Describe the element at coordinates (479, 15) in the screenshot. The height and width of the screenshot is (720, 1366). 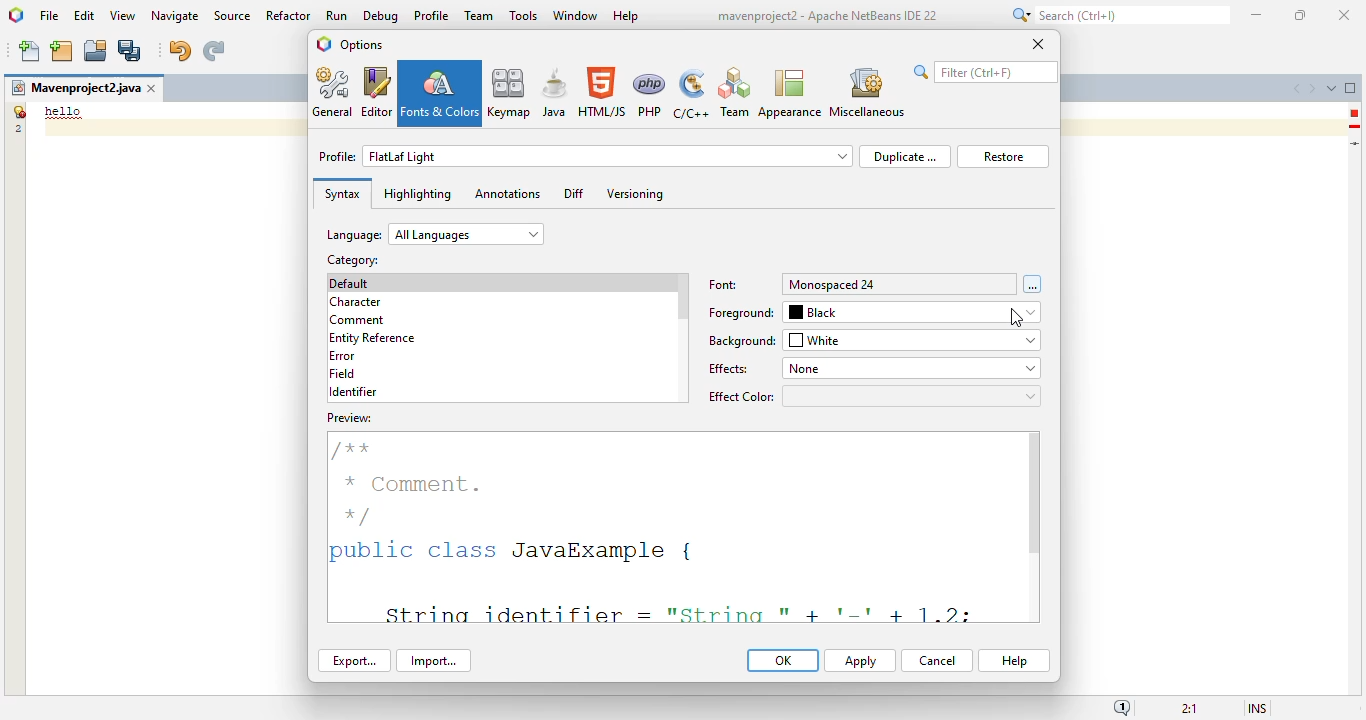
I see `team` at that location.